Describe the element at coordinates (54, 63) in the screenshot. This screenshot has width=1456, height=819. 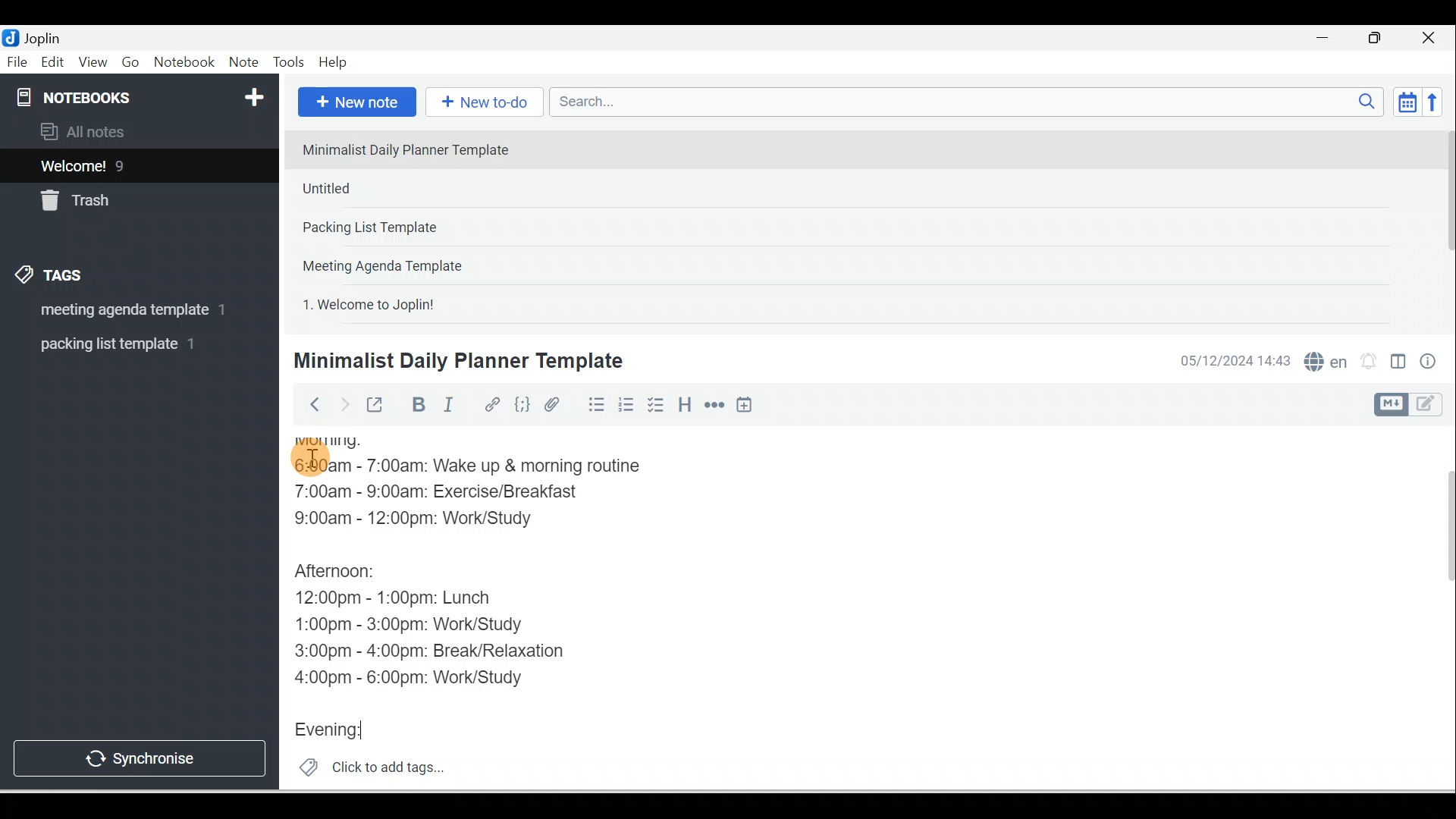
I see `Edit` at that location.